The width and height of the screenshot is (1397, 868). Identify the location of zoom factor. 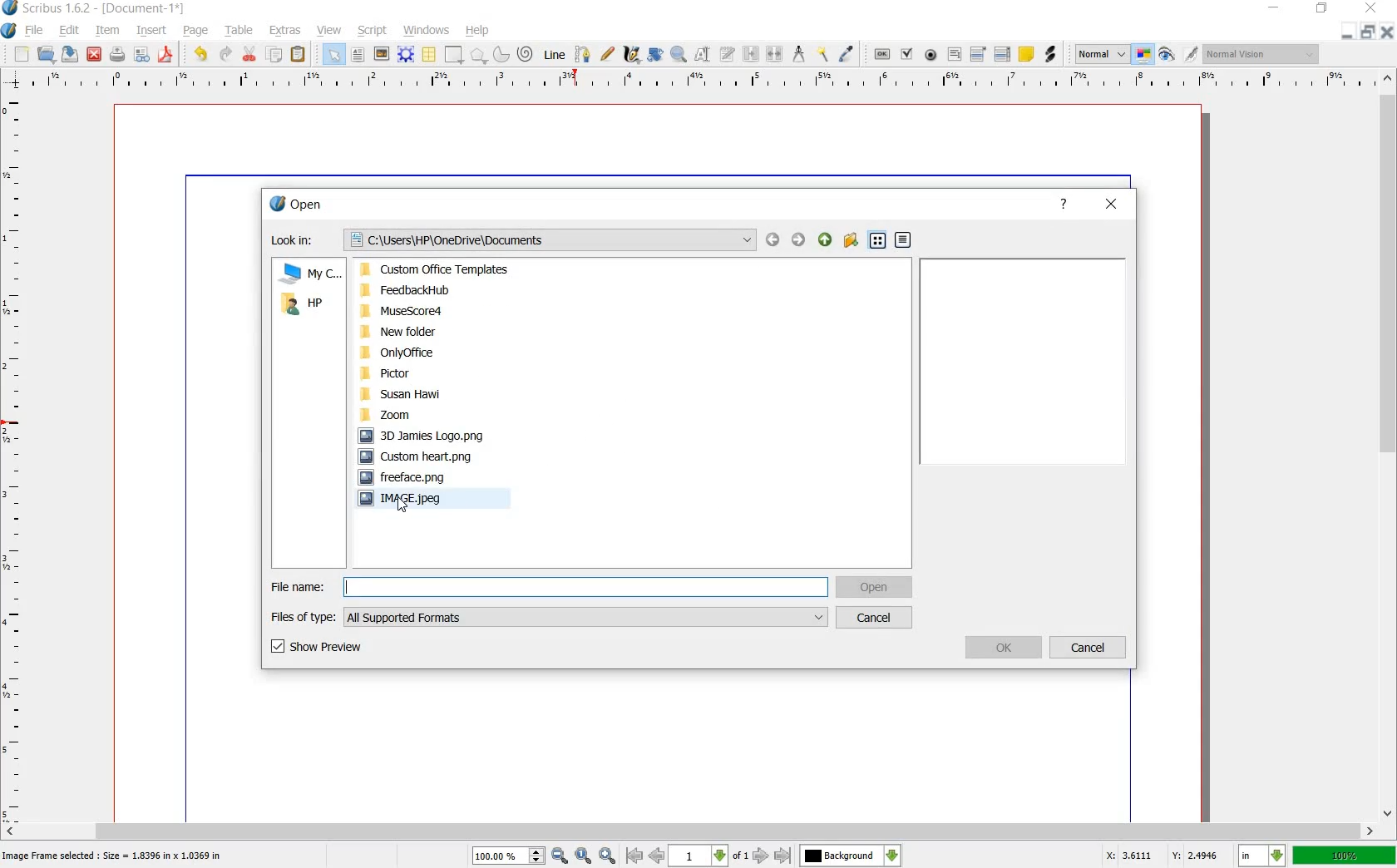
(1345, 856).